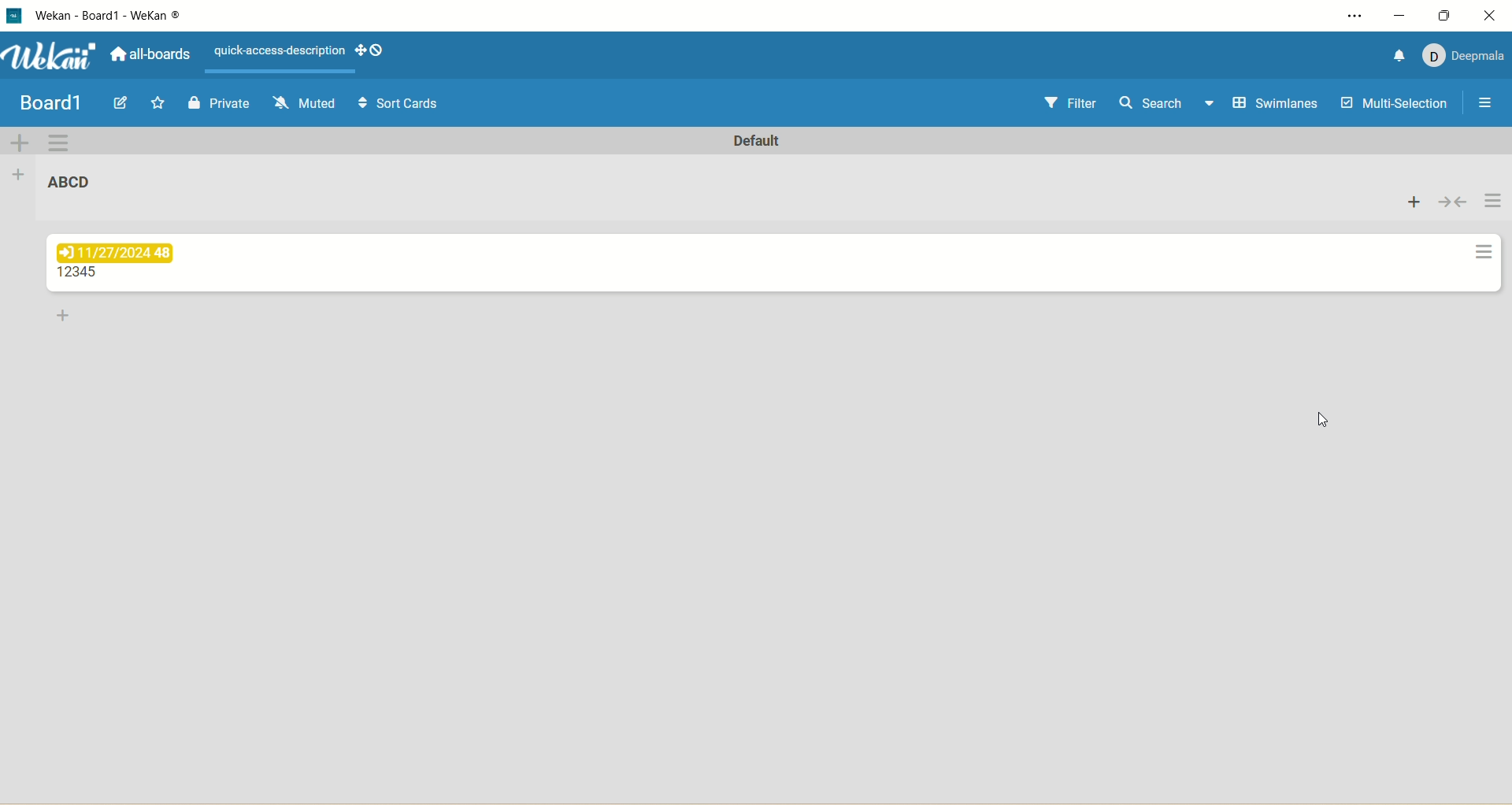 The image size is (1512, 805). What do you see at coordinates (1466, 58) in the screenshot?
I see `account` at bounding box center [1466, 58].